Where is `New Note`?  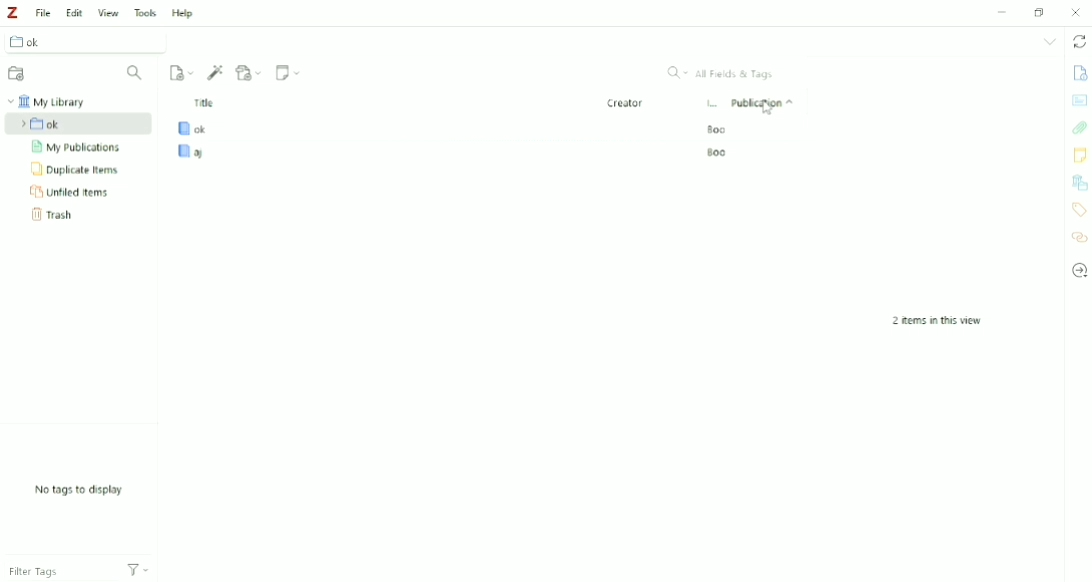
New Note is located at coordinates (288, 72).